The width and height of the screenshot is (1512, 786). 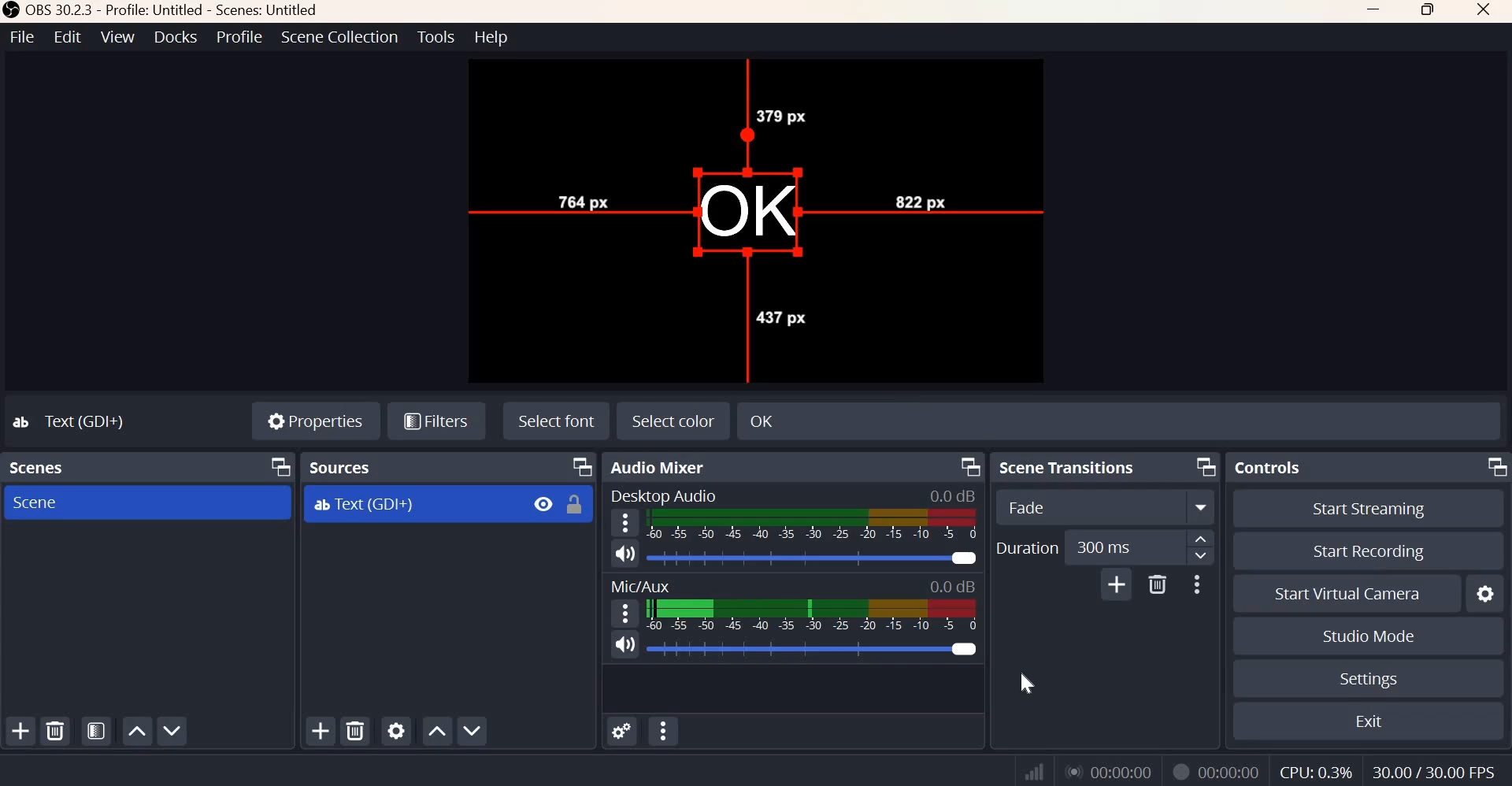 I want to click on cursor, so click(x=1019, y=681).